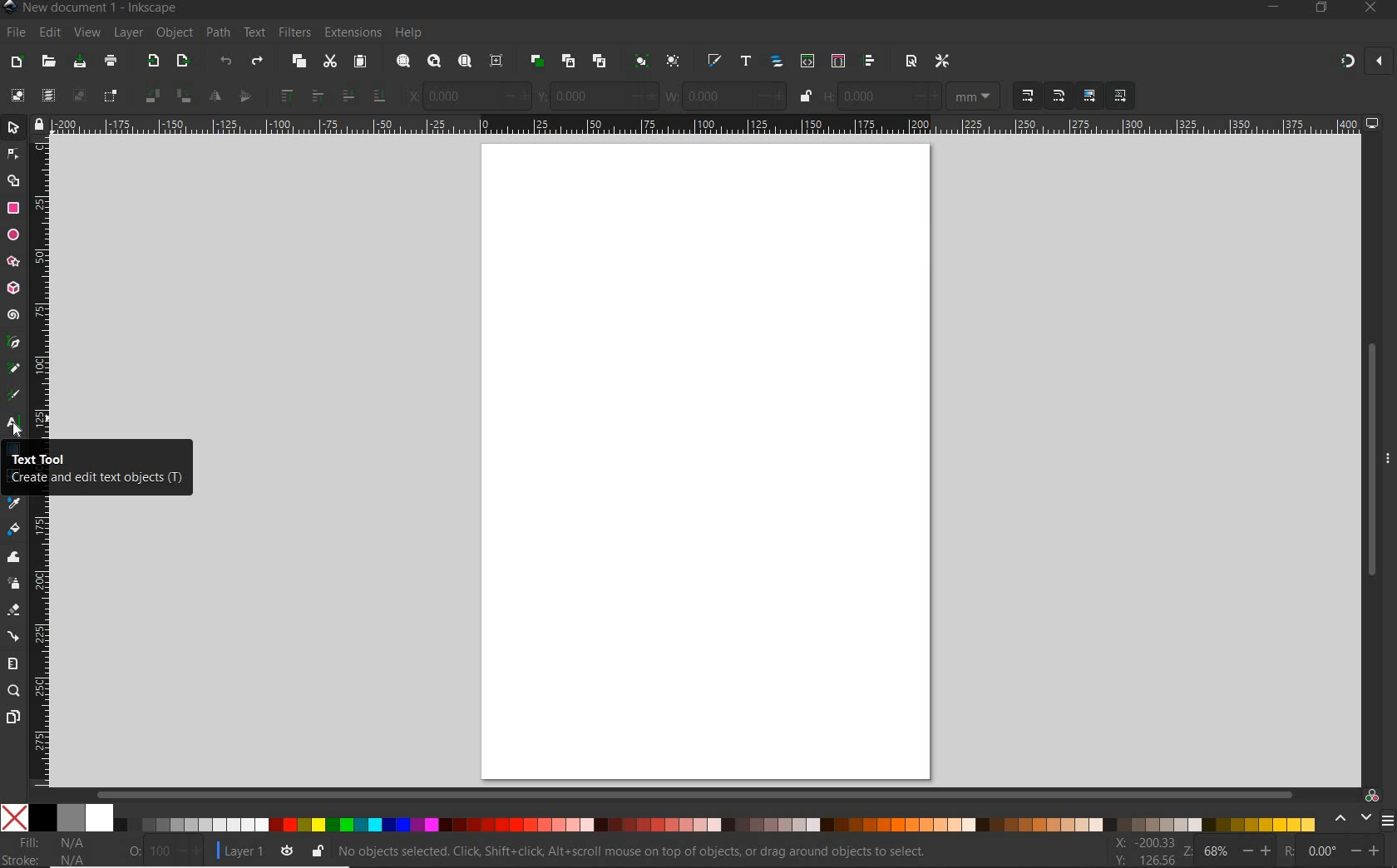 This screenshot has width=1397, height=868. What do you see at coordinates (294, 32) in the screenshot?
I see `filters` at bounding box center [294, 32].